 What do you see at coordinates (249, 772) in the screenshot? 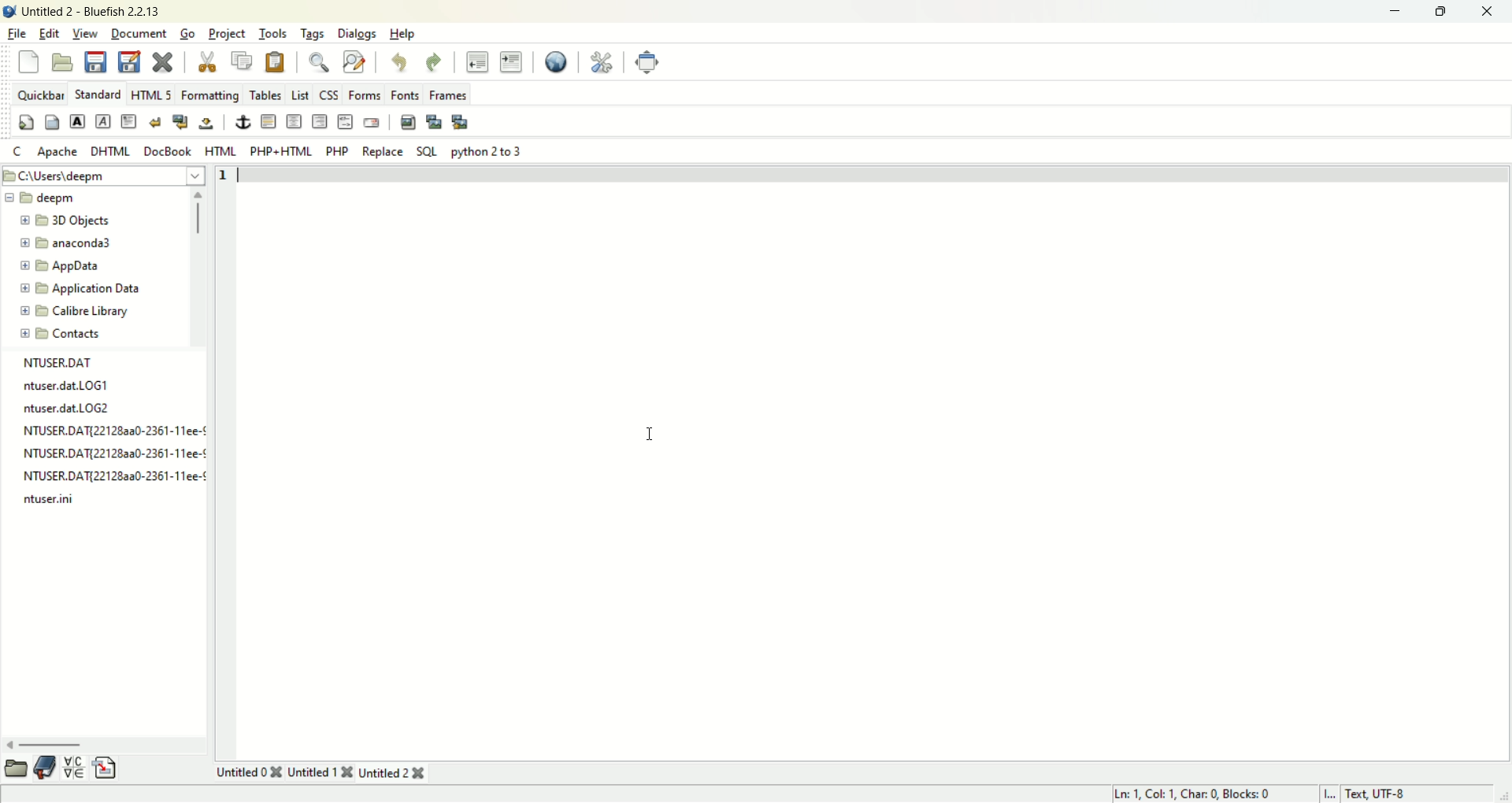
I see `untitle0` at bounding box center [249, 772].